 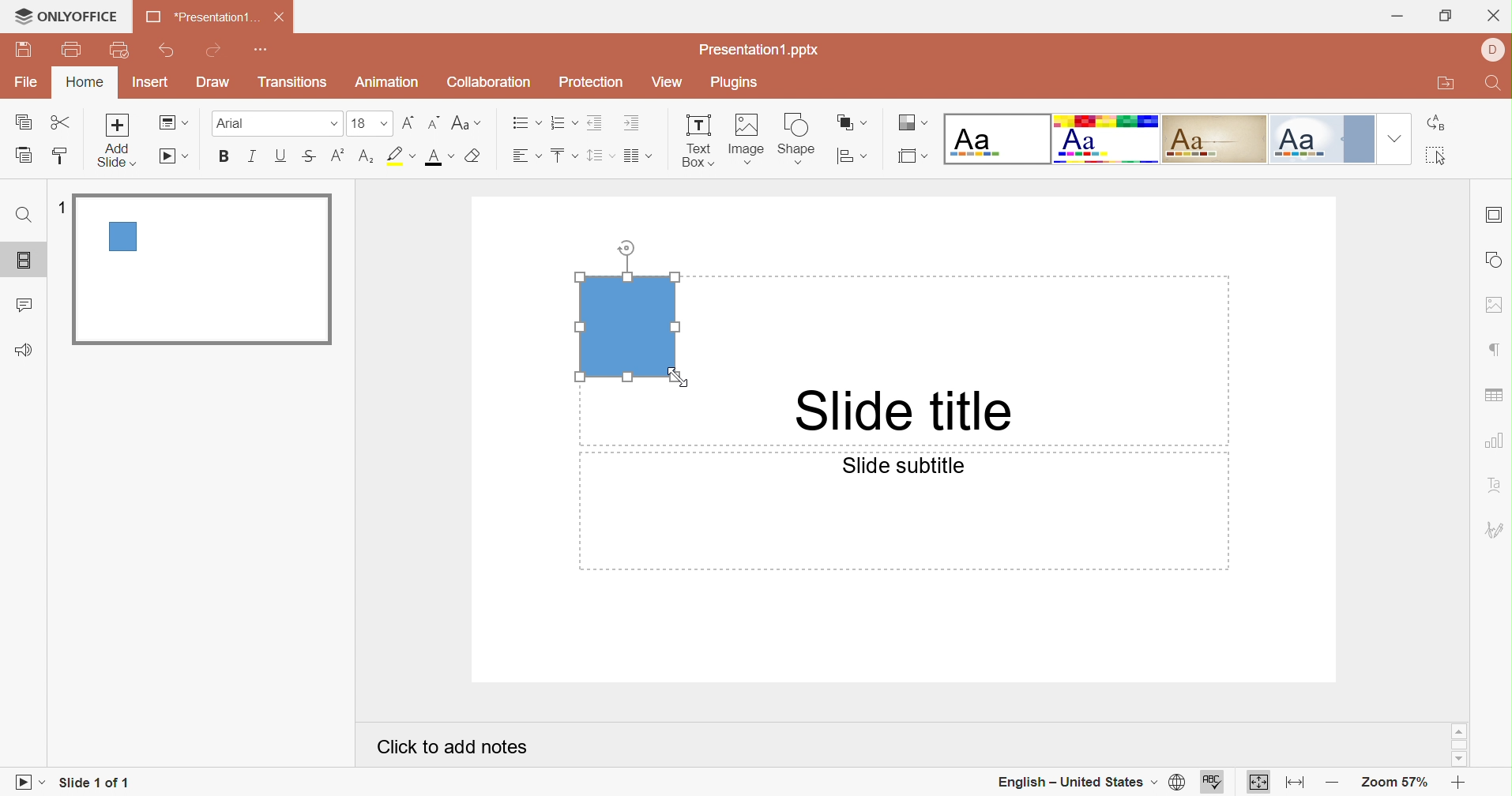 What do you see at coordinates (601, 156) in the screenshot?
I see `Line spacing` at bounding box center [601, 156].